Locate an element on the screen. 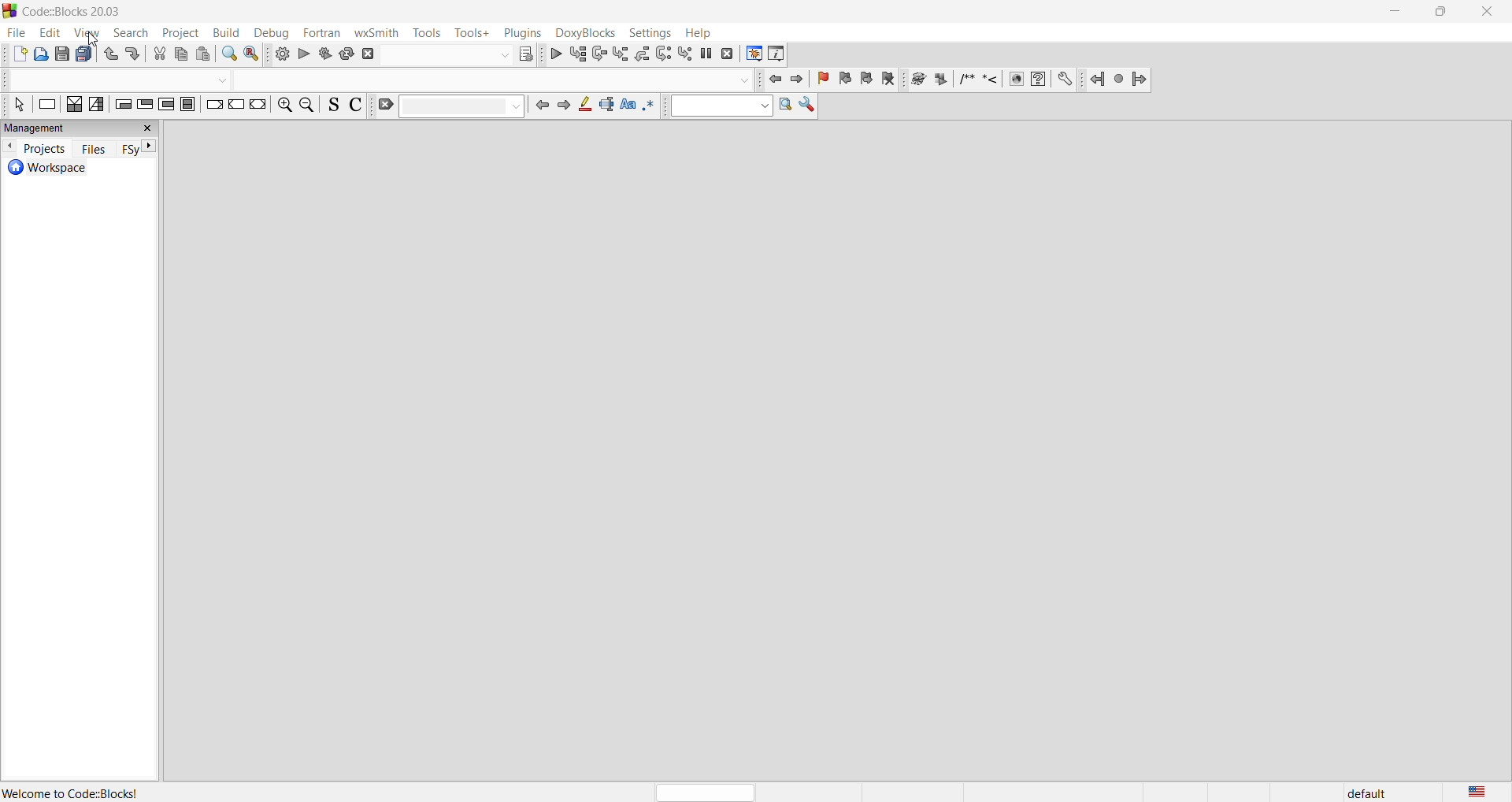 The image size is (1512, 802). Forward jump is located at coordinates (1140, 81).